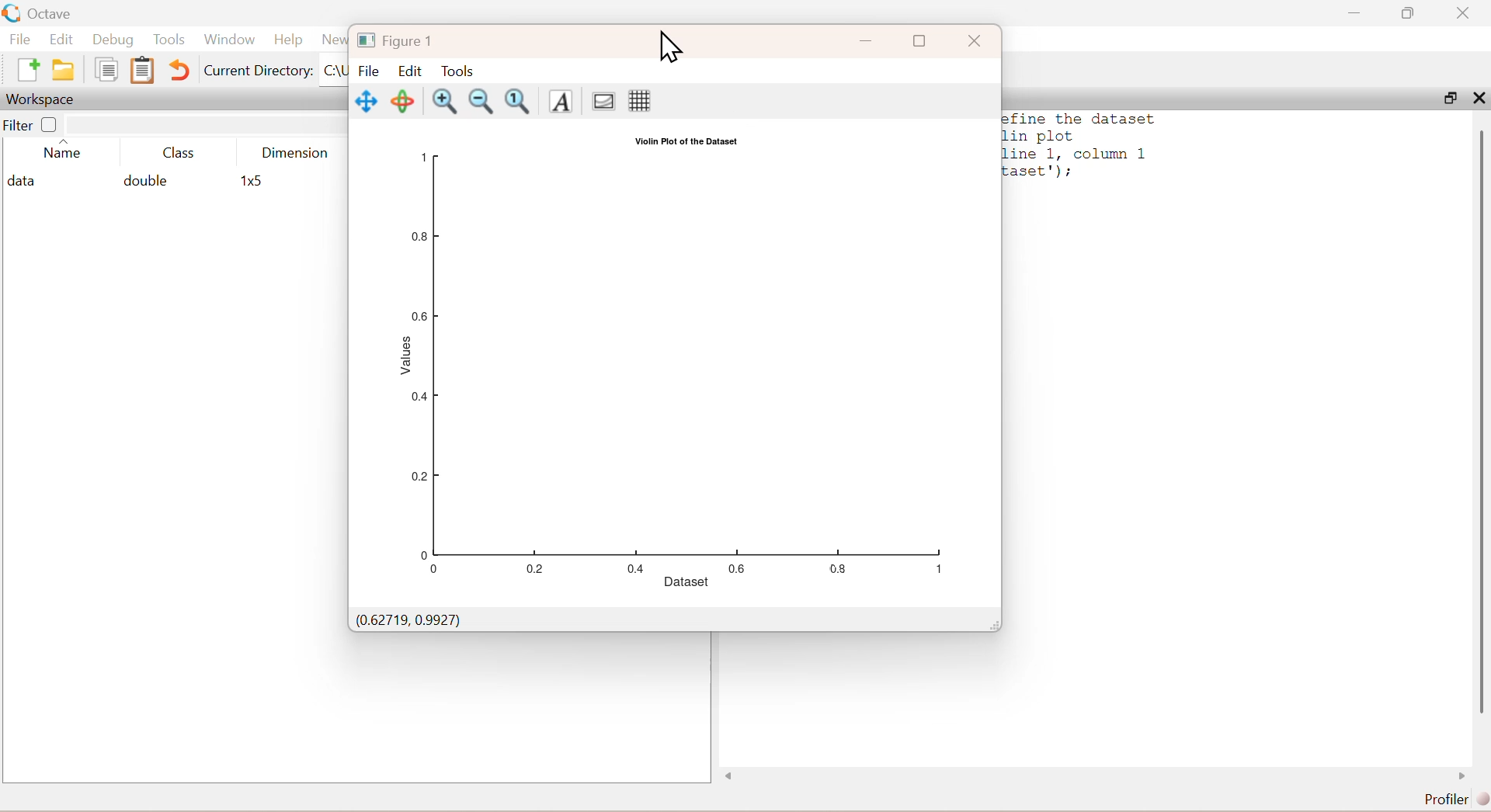 The width and height of the screenshot is (1491, 812). I want to click on help, so click(289, 40).